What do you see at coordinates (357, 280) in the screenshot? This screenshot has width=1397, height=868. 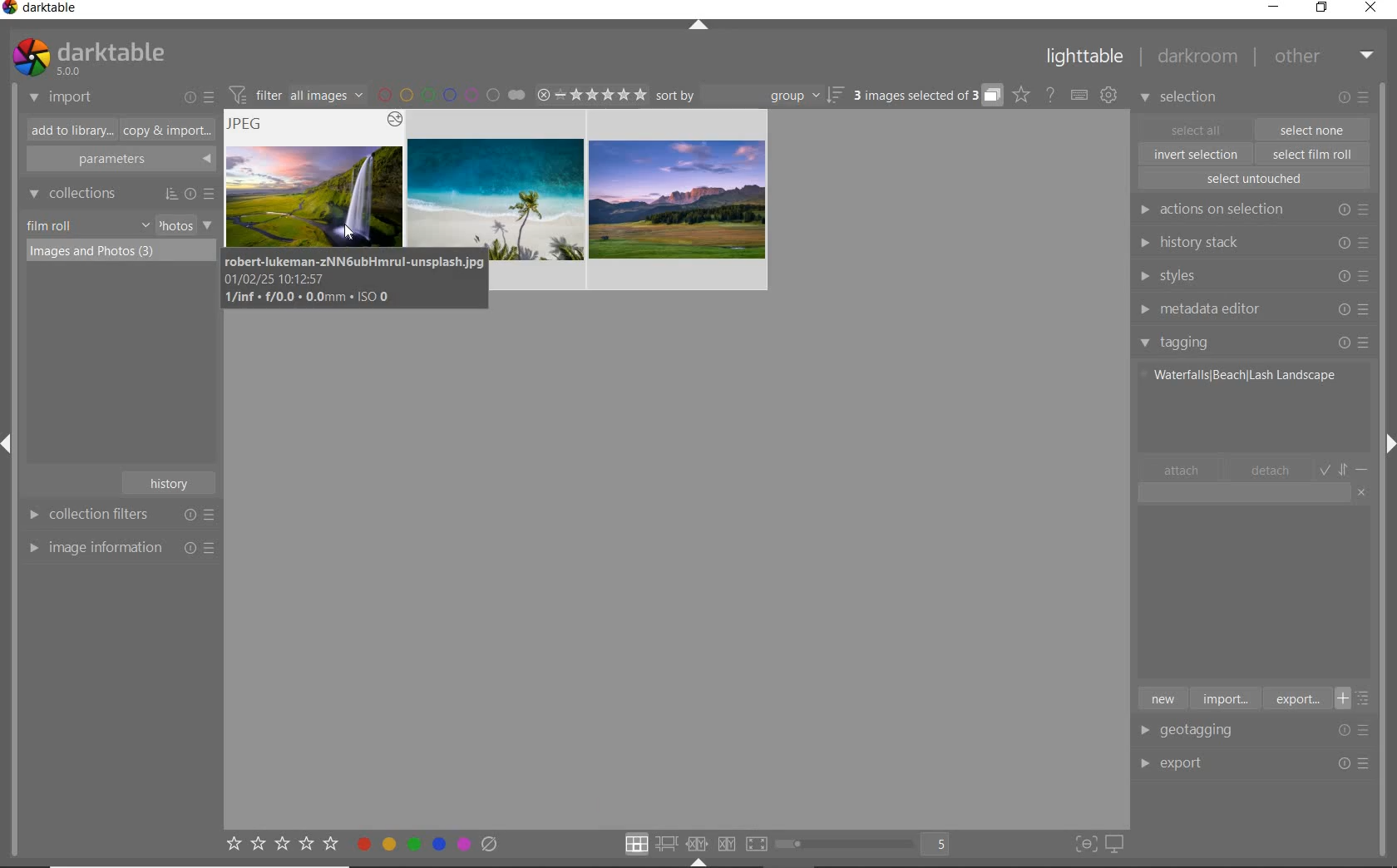 I see `robert-lukeman-znn6ubHmrul-unsplash.jpg 01/02/25 10:12:57 1/inf*f/0.0 mm*ISO 0` at bounding box center [357, 280].